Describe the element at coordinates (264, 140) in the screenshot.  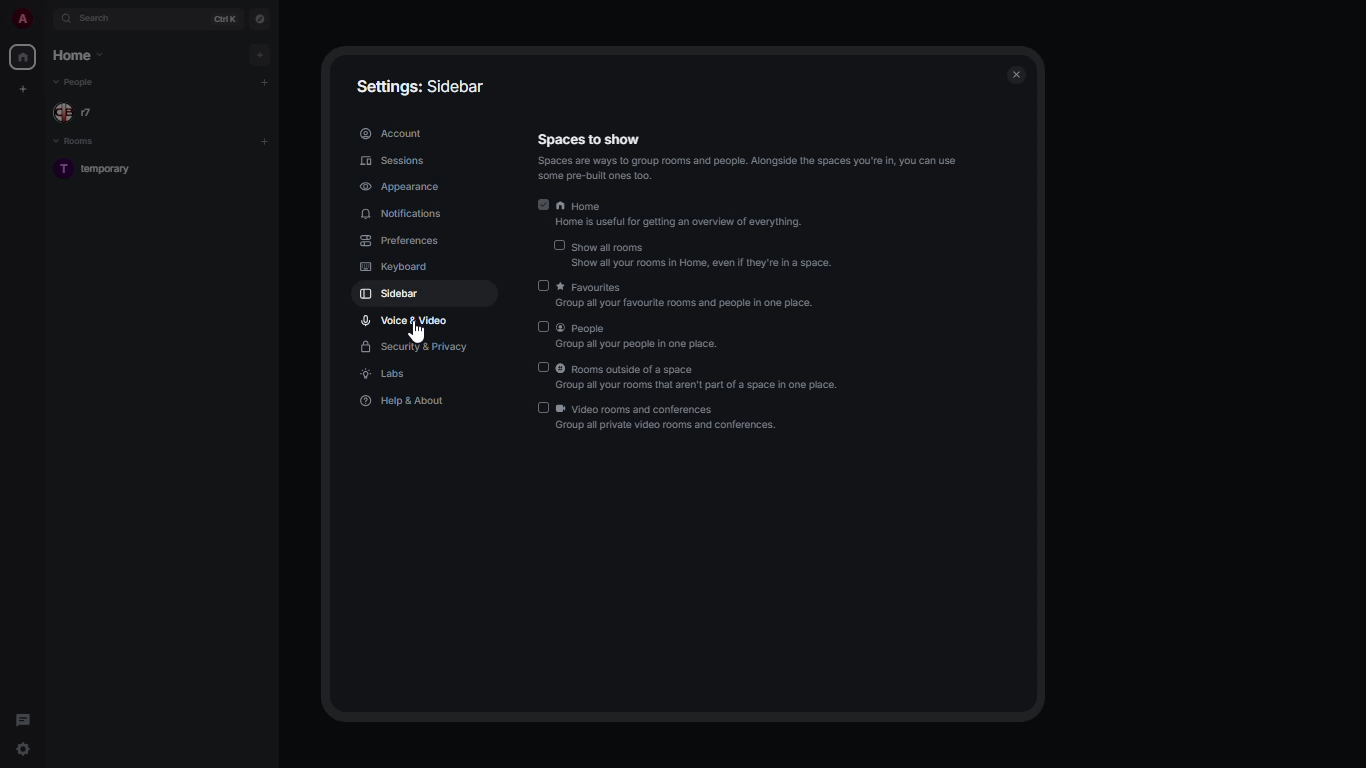
I see `add` at that location.